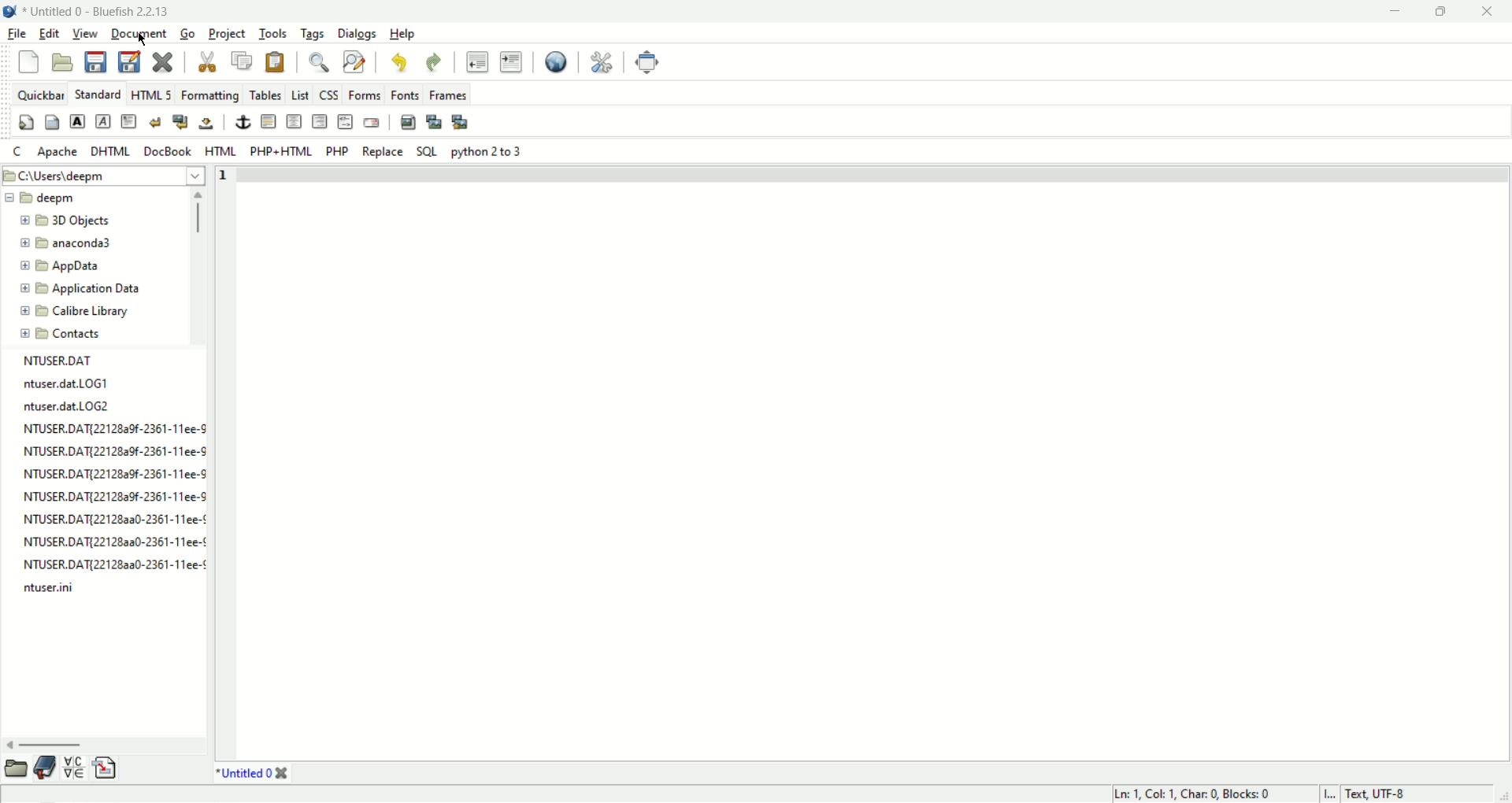 This screenshot has height=803, width=1512. I want to click on DocBook, so click(169, 150).